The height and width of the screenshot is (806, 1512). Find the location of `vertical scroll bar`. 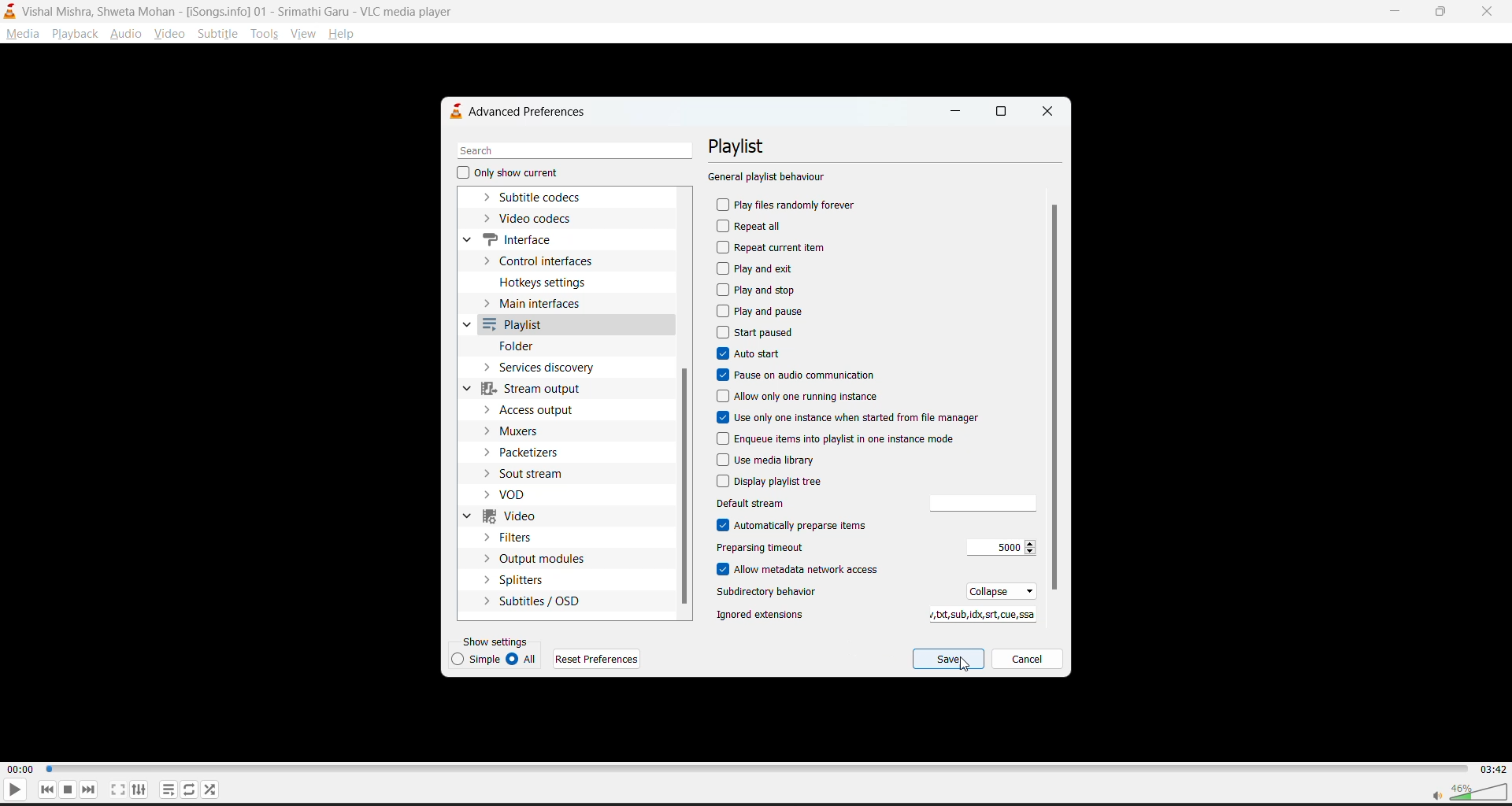

vertical scroll bar is located at coordinates (684, 487).